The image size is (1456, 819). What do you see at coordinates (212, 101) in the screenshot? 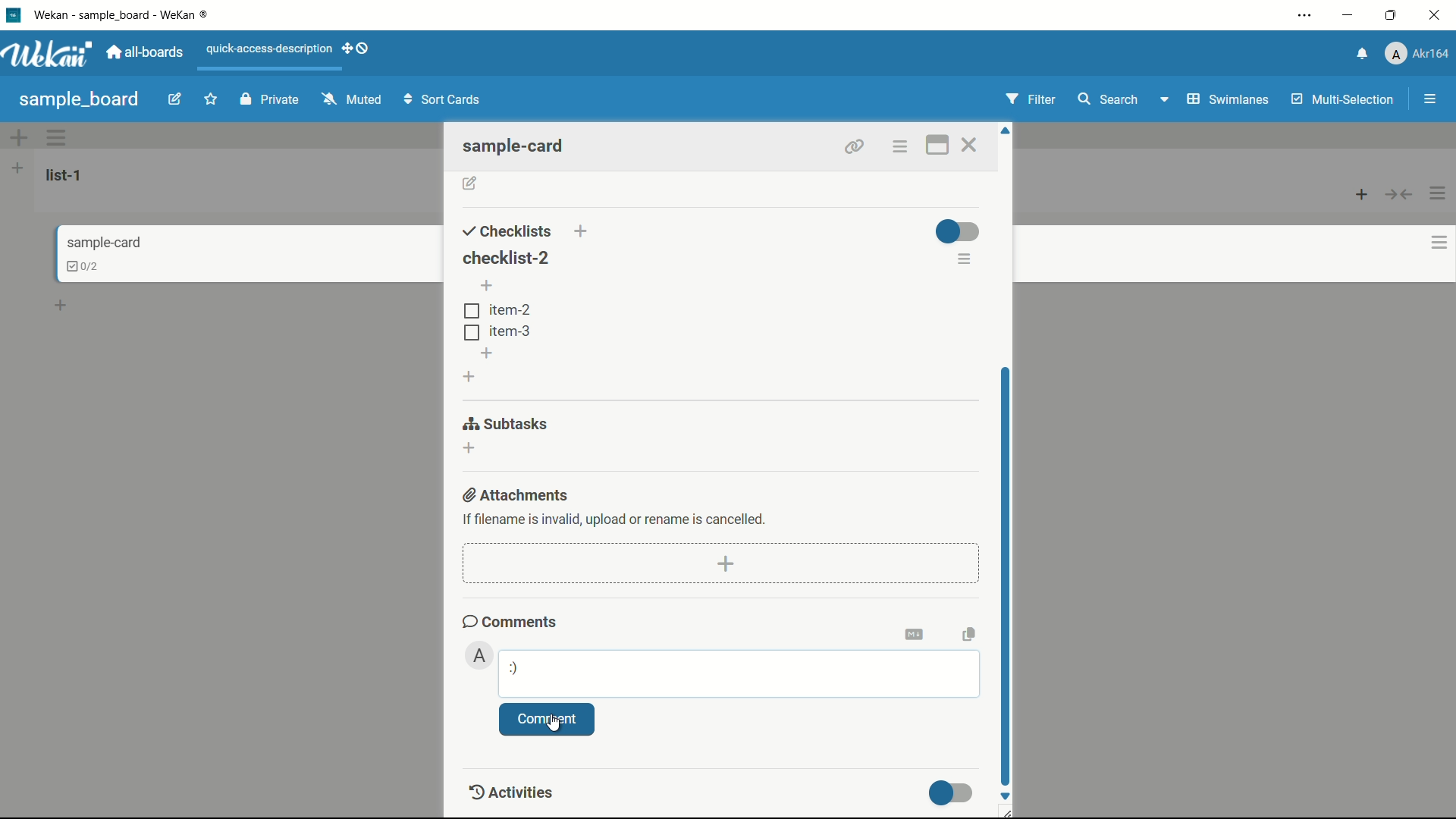
I see `star this board` at bounding box center [212, 101].